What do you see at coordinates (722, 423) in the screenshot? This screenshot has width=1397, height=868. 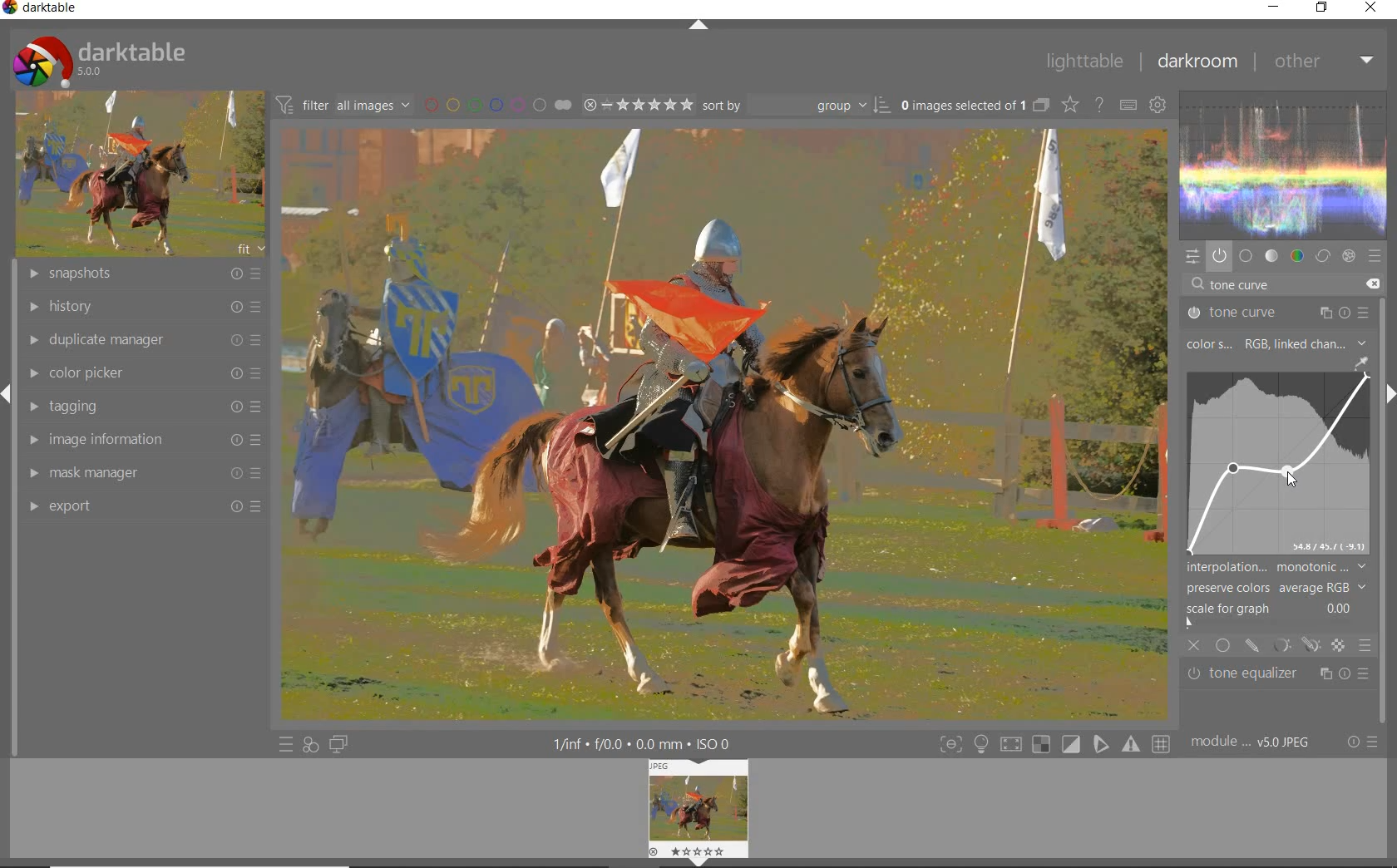 I see `selected image` at bounding box center [722, 423].